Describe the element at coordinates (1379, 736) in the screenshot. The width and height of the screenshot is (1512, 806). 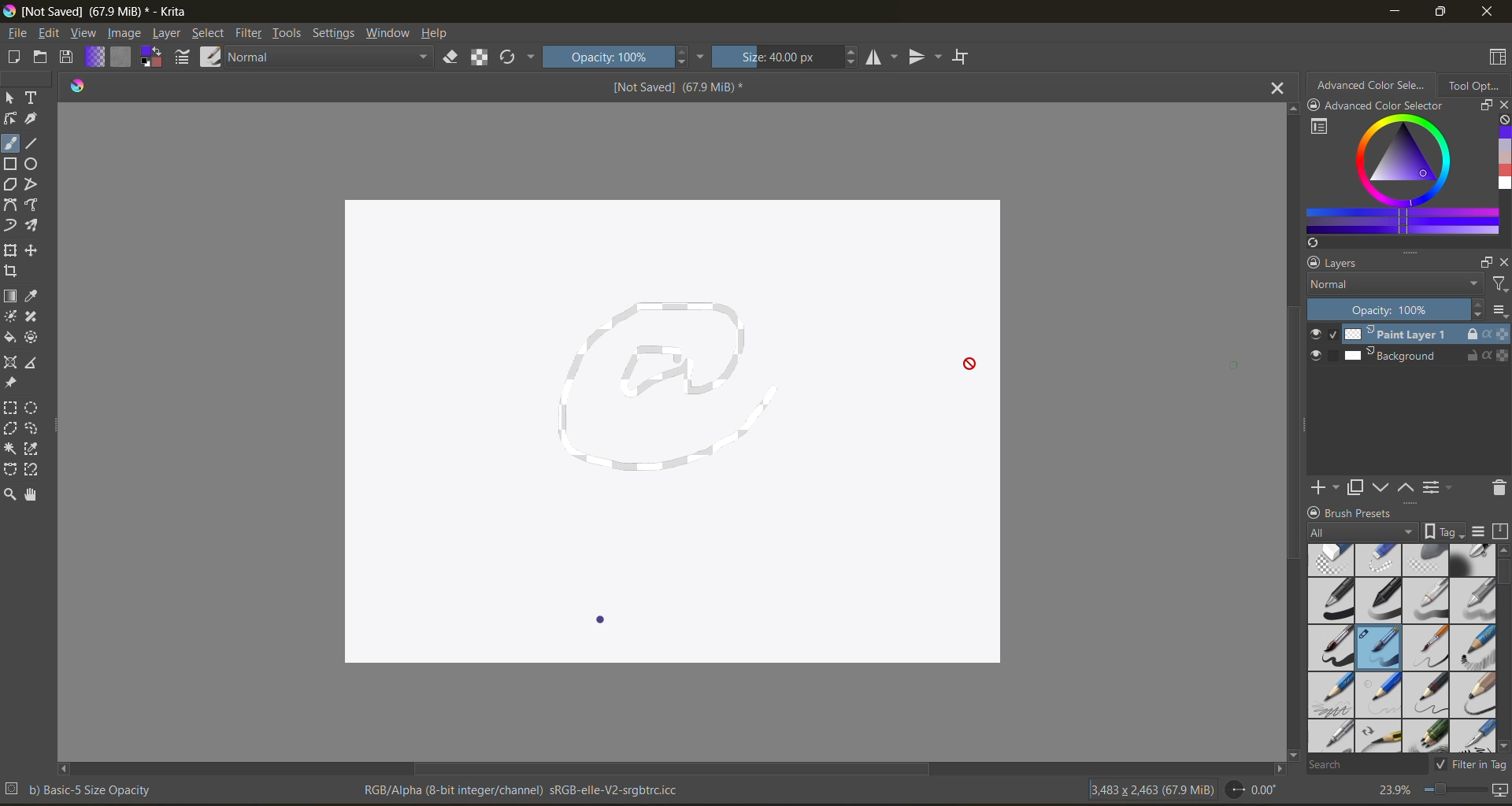
I see `pencil` at that location.